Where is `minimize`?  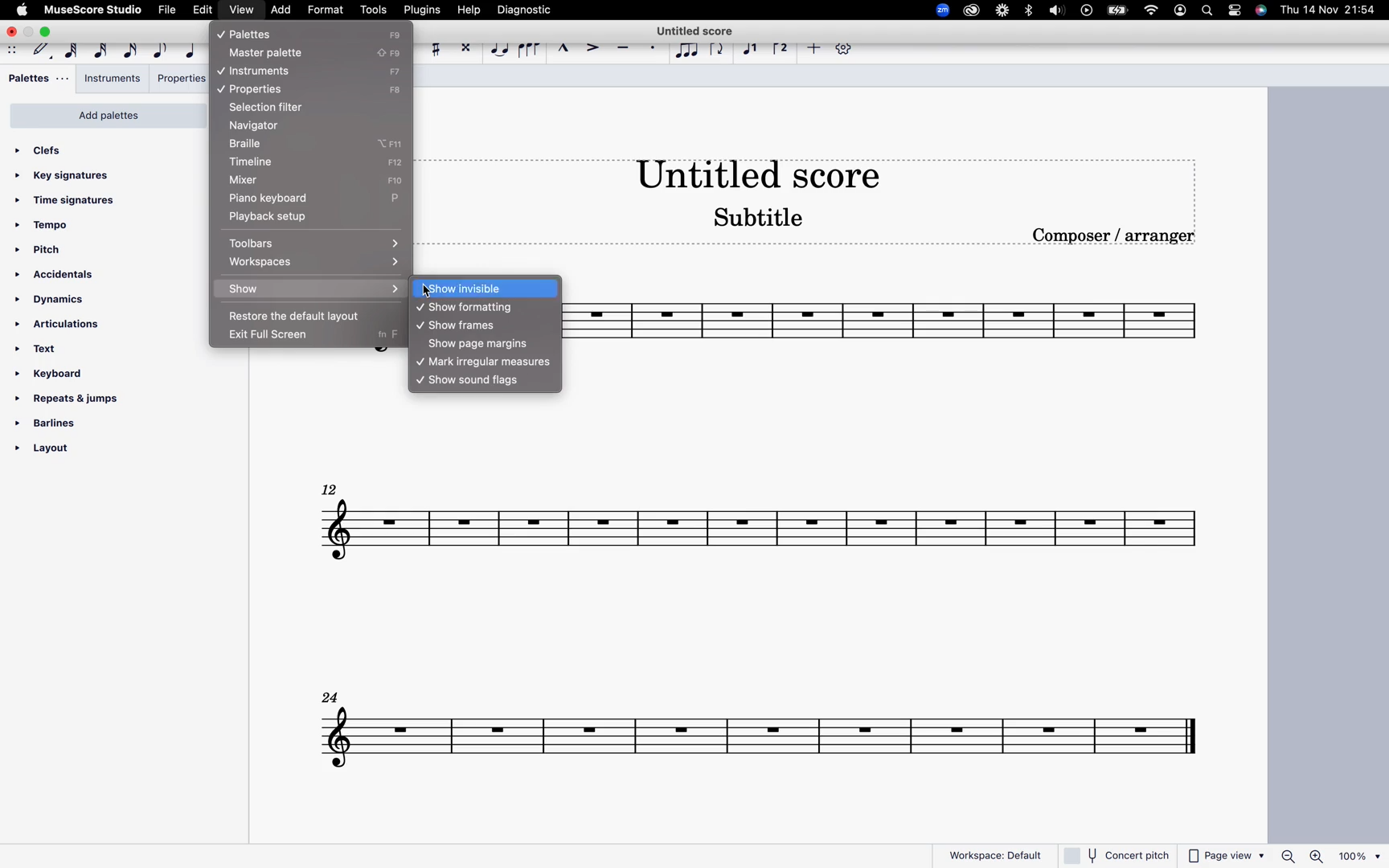 minimize is located at coordinates (27, 31).